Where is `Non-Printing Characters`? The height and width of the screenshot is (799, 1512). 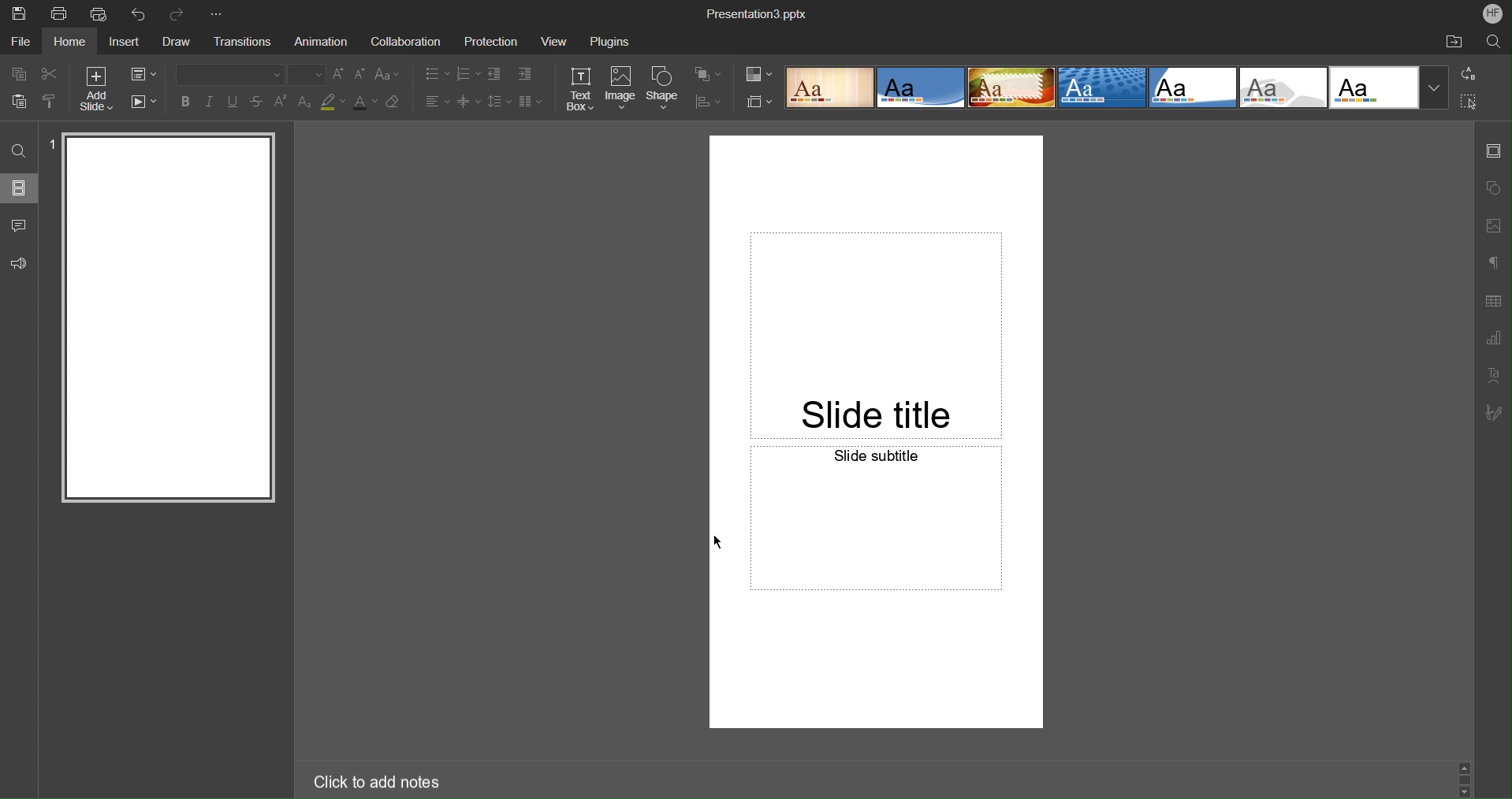
Non-Printing Characters is located at coordinates (1493, 262).